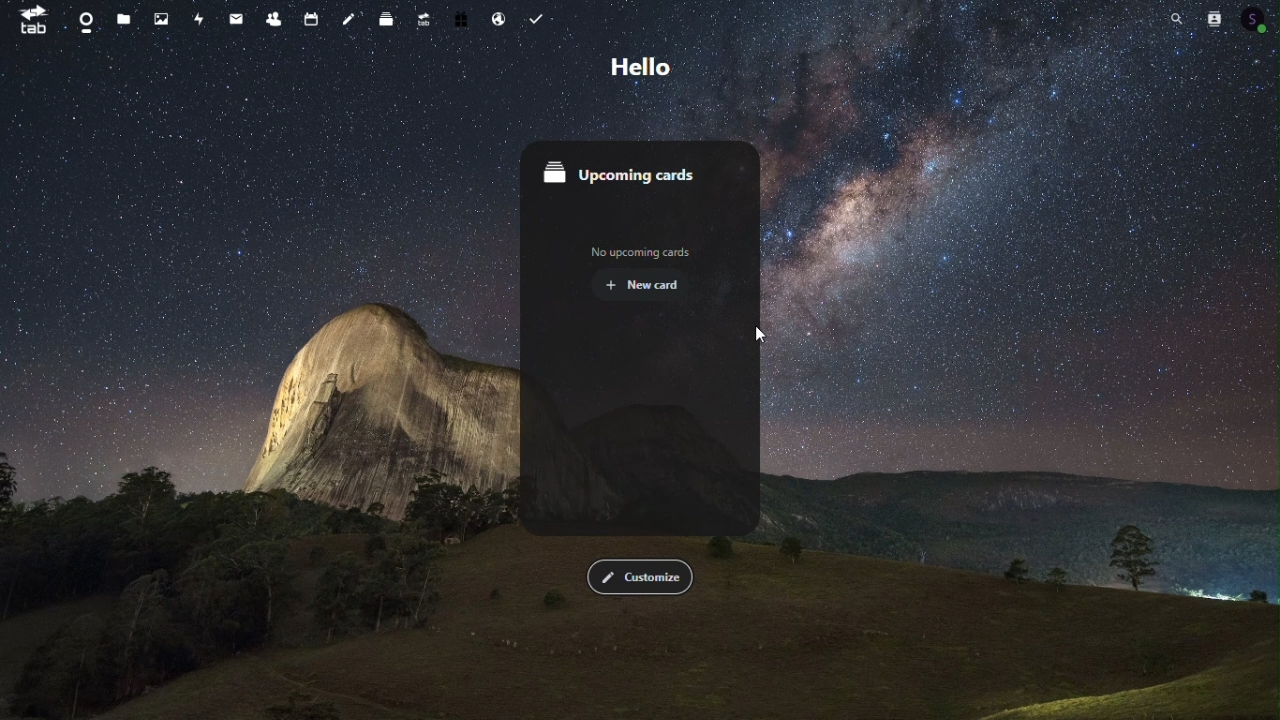 The width and height of the screenshot is (1280, 720). What do you see at coordinates (635, 68) in the screenshot?
I see `hello` at bounding box center [635, 68].